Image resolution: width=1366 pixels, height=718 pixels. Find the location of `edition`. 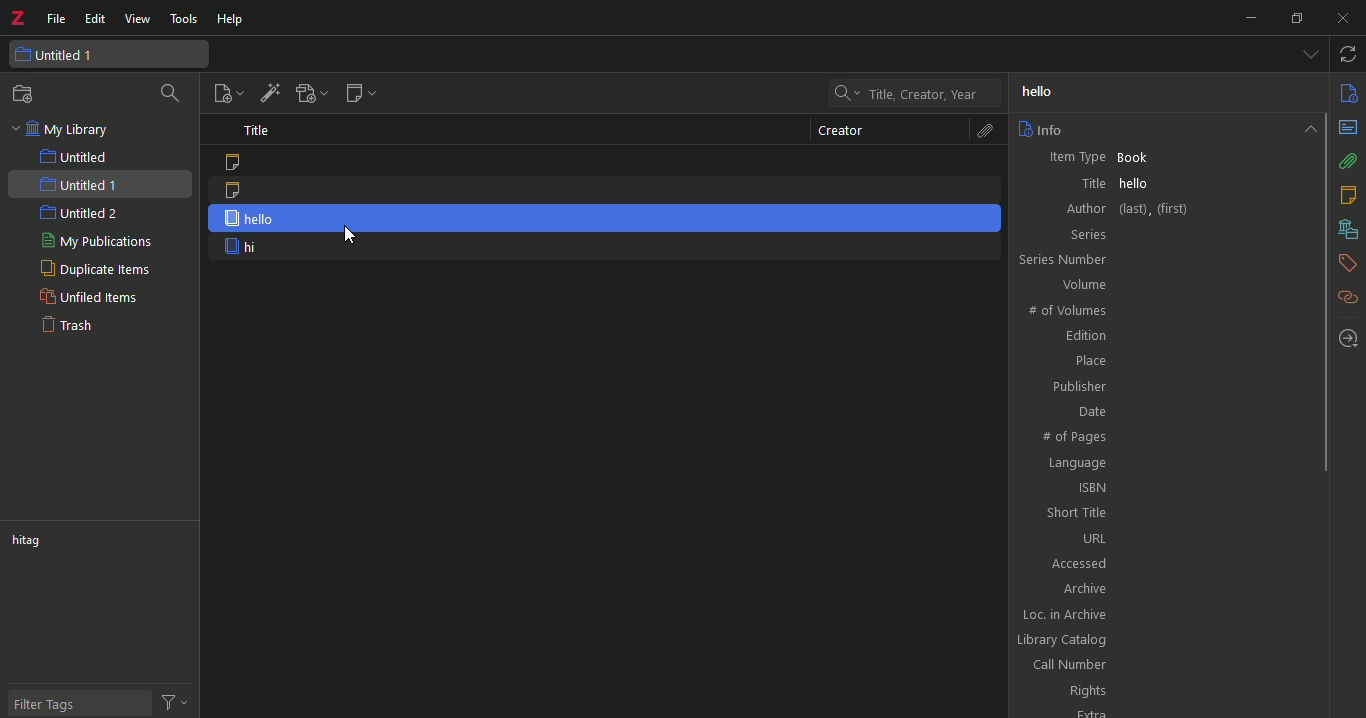

edition is located at coordinates (1090, 336).